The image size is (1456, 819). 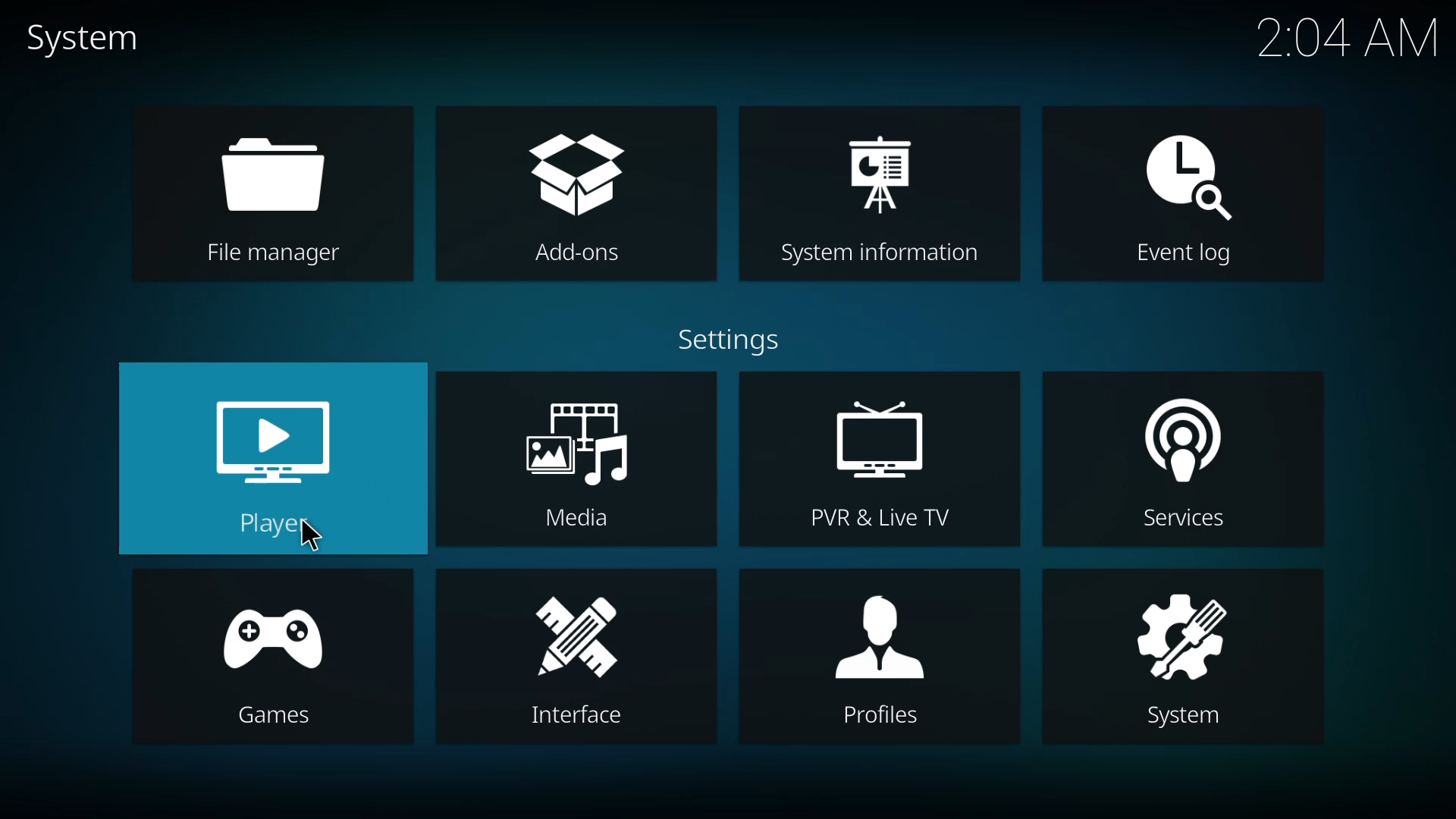 I want to click on player, so click(x=278, y=465).